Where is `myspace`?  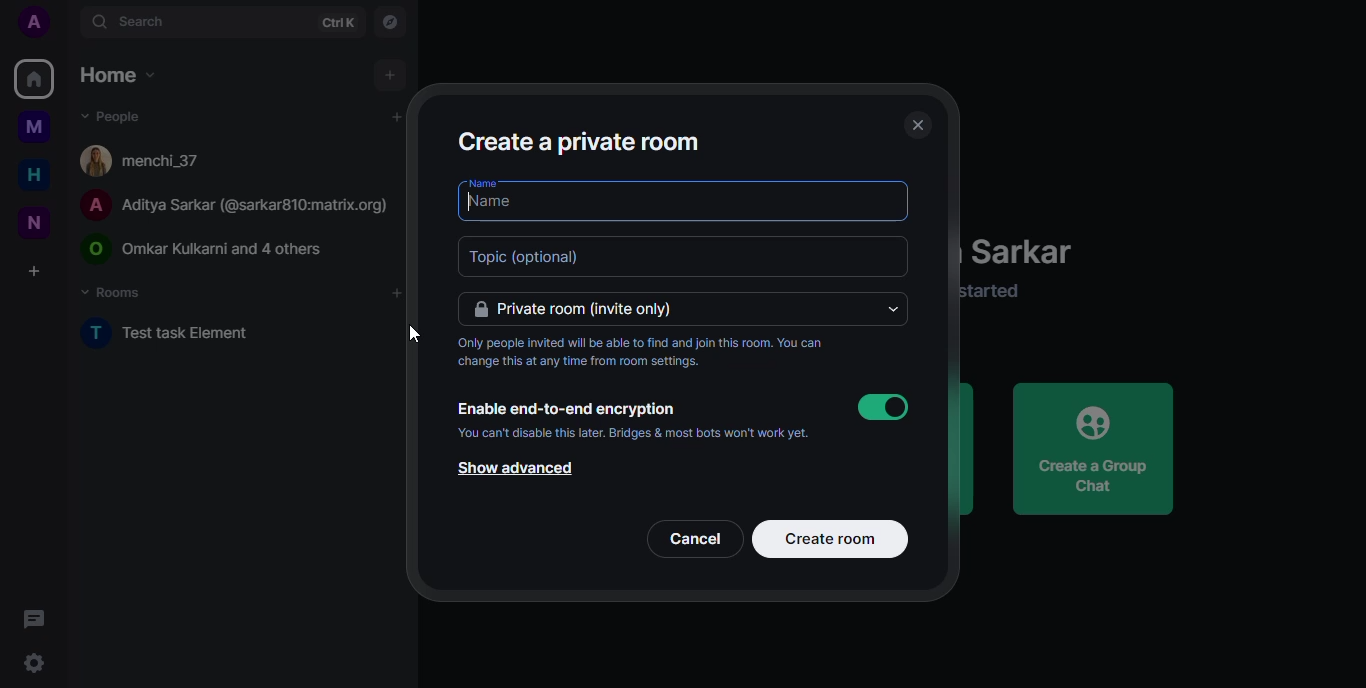 myspace is located at coordinates (34, 127).